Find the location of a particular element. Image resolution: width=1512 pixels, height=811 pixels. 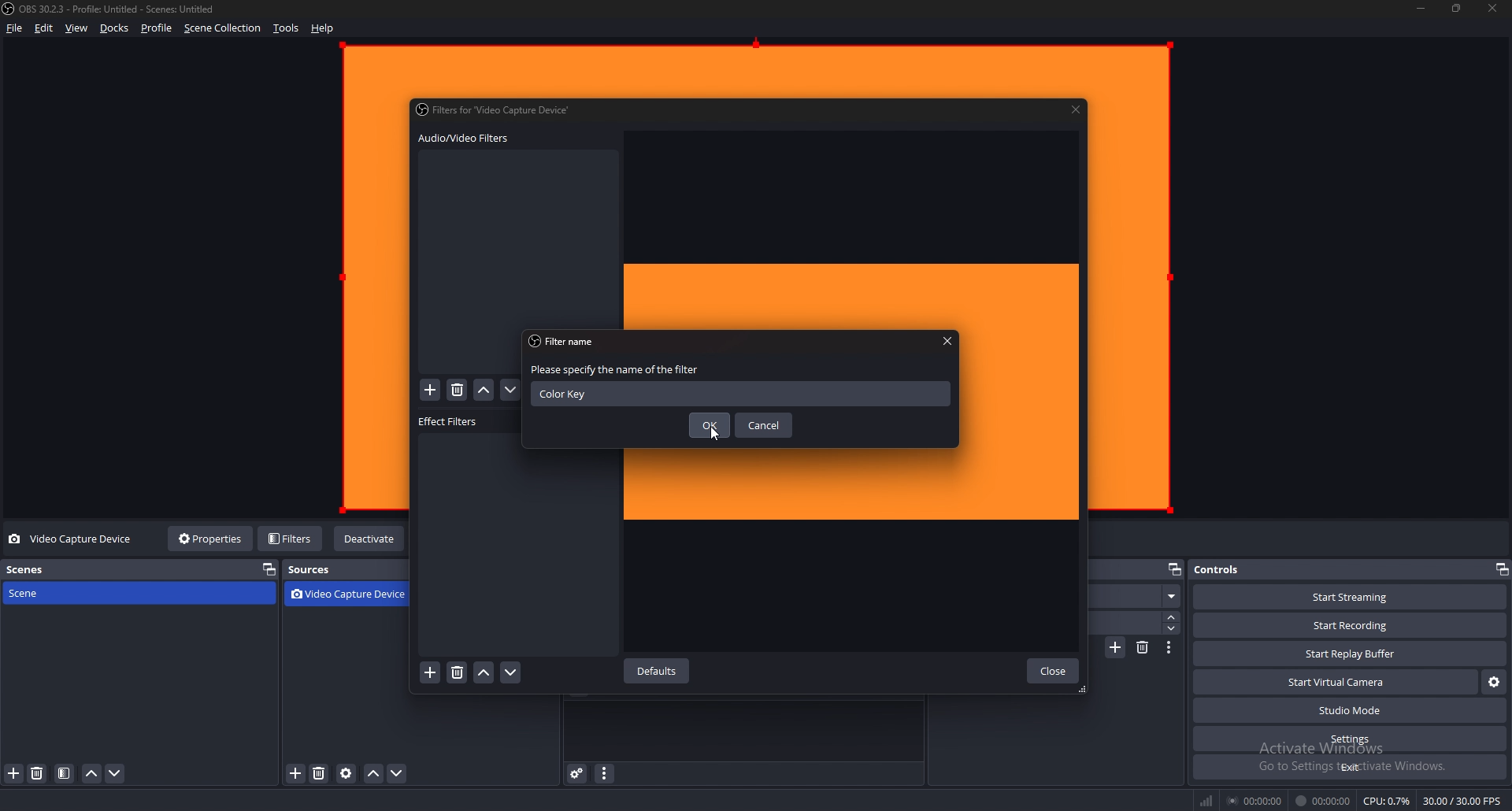

source properties is located at coordinates (346, 774).